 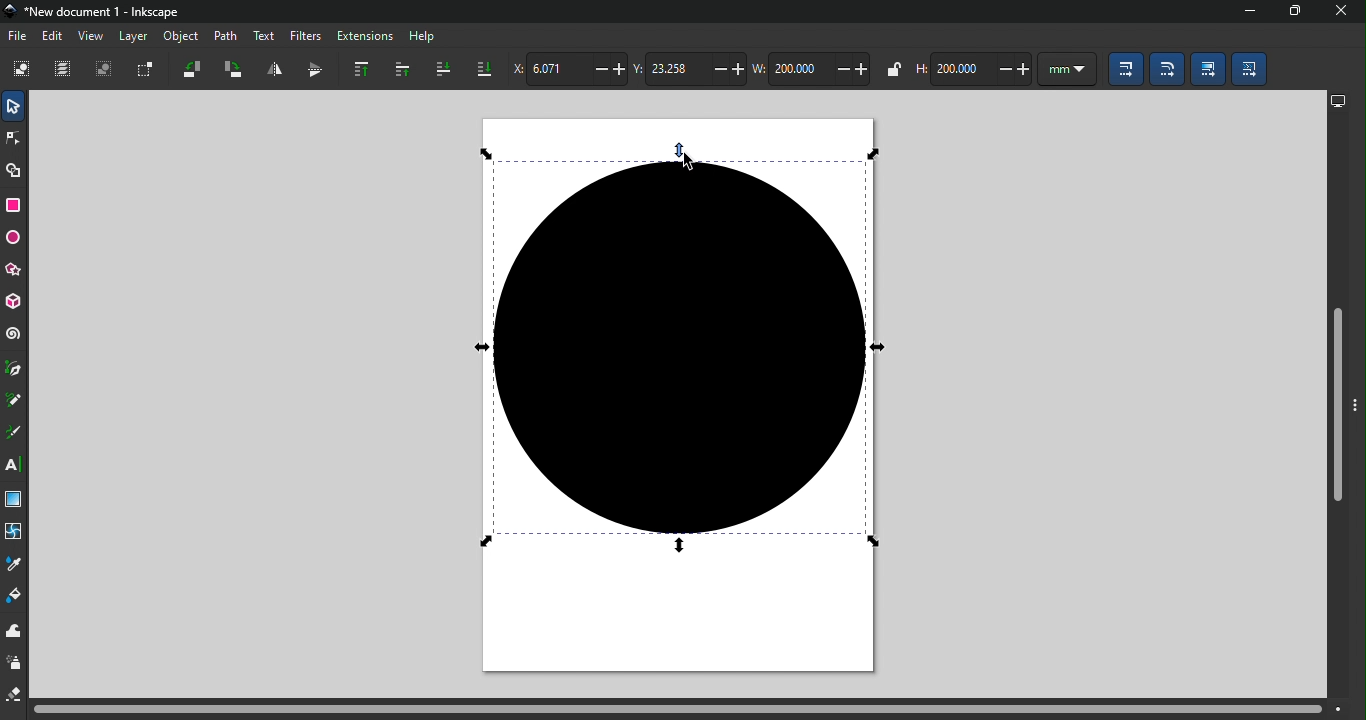 I want to click on when locked, change width and height by same proportion, so click(x=891, y=69).